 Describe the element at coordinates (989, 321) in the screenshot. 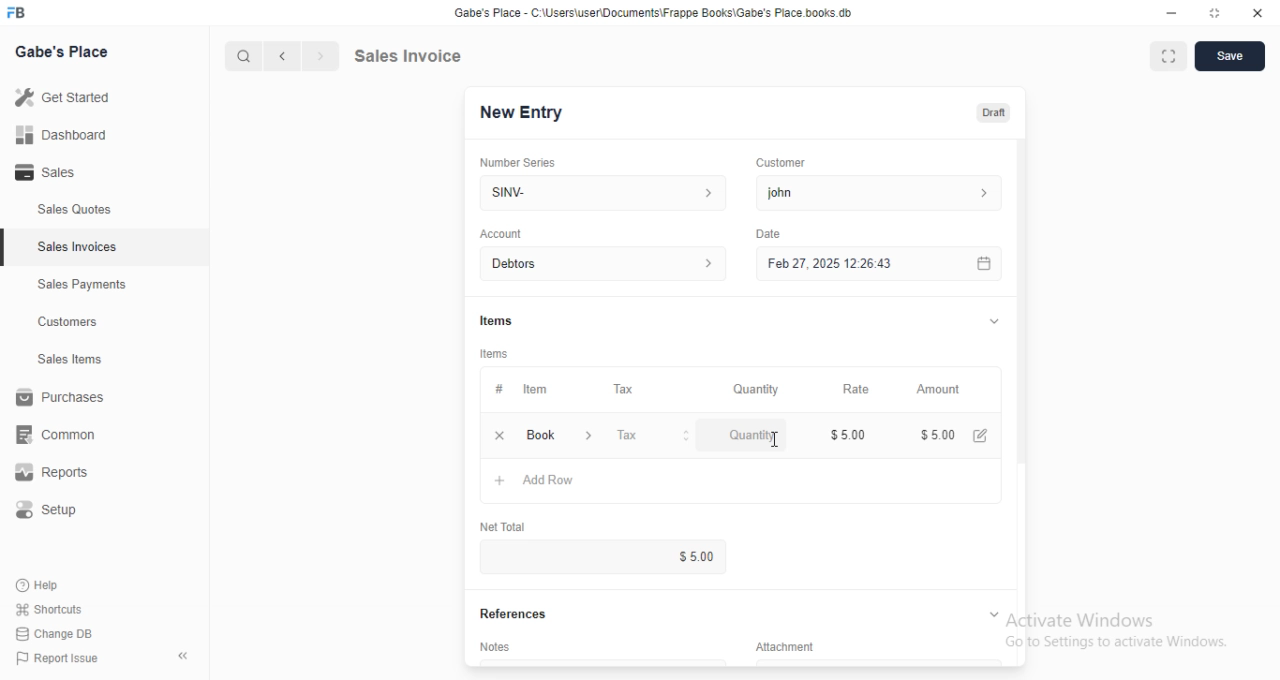

I see `Expand` at that location.